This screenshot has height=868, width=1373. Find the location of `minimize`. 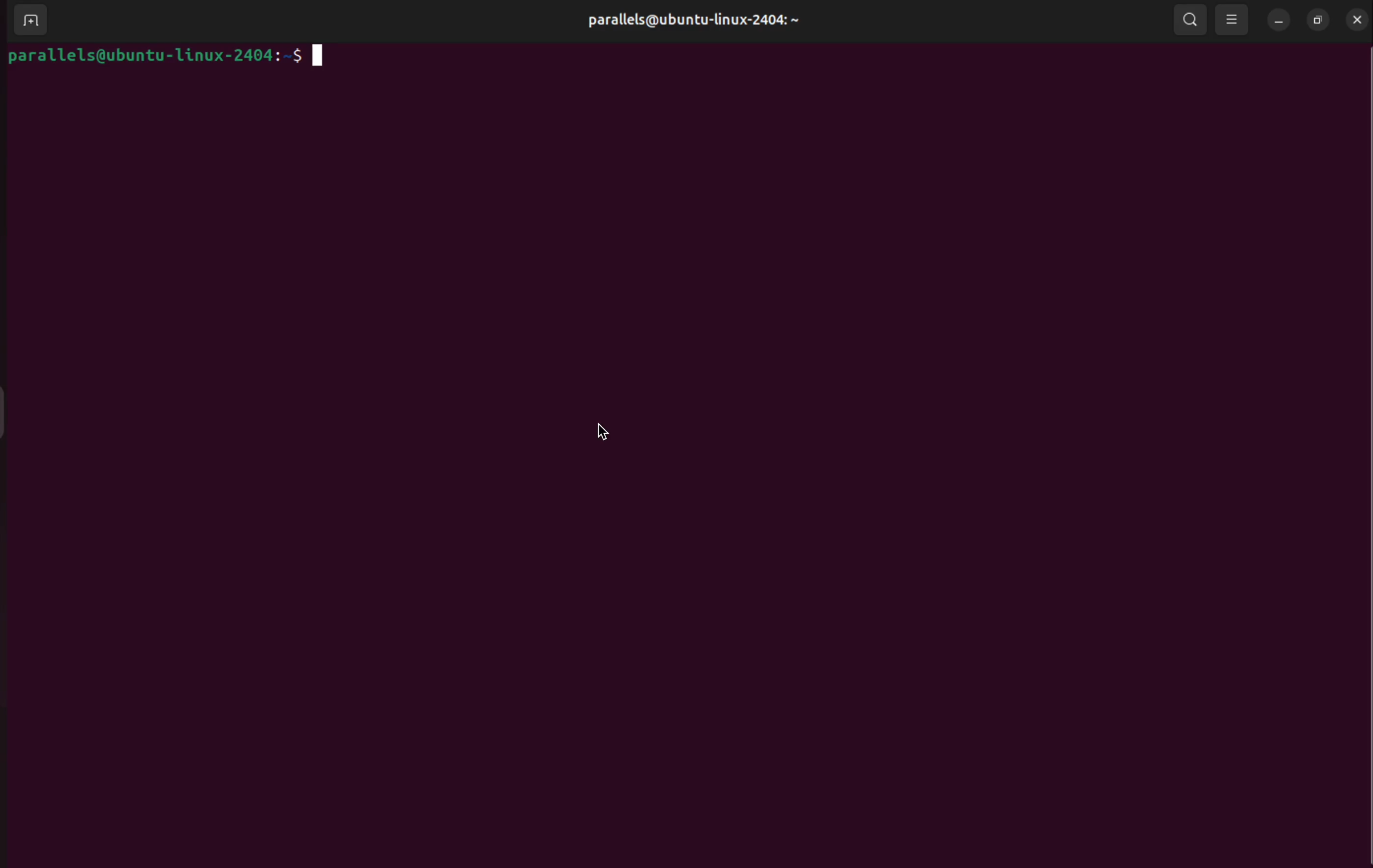

minimize is located at coordinates (1279, 20).